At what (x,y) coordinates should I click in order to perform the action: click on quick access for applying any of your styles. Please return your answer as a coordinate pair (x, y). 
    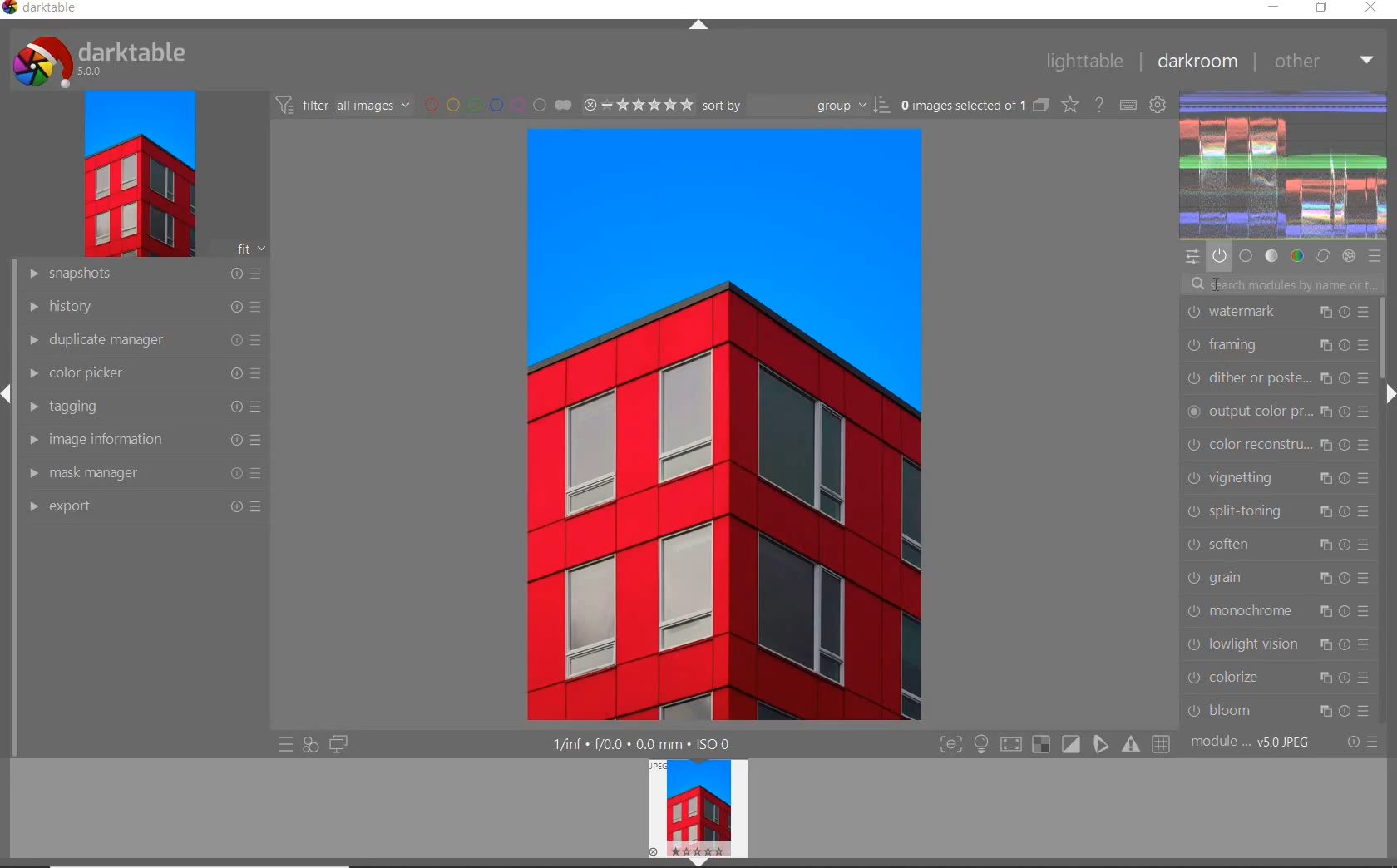
    Looking at the image, I should click on (311, 744).